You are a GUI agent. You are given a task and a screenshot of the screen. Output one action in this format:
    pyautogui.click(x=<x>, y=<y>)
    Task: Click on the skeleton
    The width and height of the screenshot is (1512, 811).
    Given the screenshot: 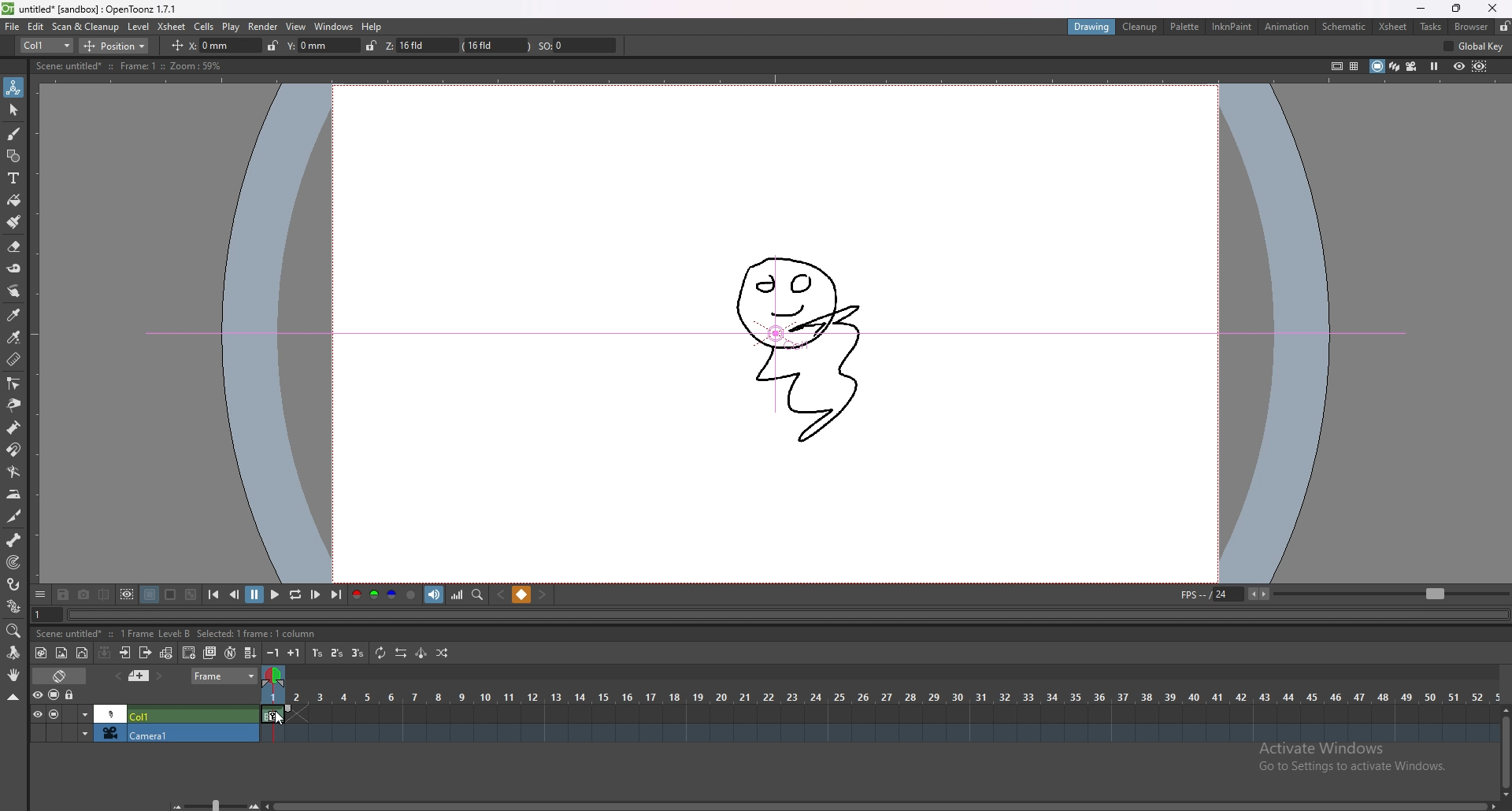 What is the action you would take?
    pyautogui.click(x=15, y=539)
    